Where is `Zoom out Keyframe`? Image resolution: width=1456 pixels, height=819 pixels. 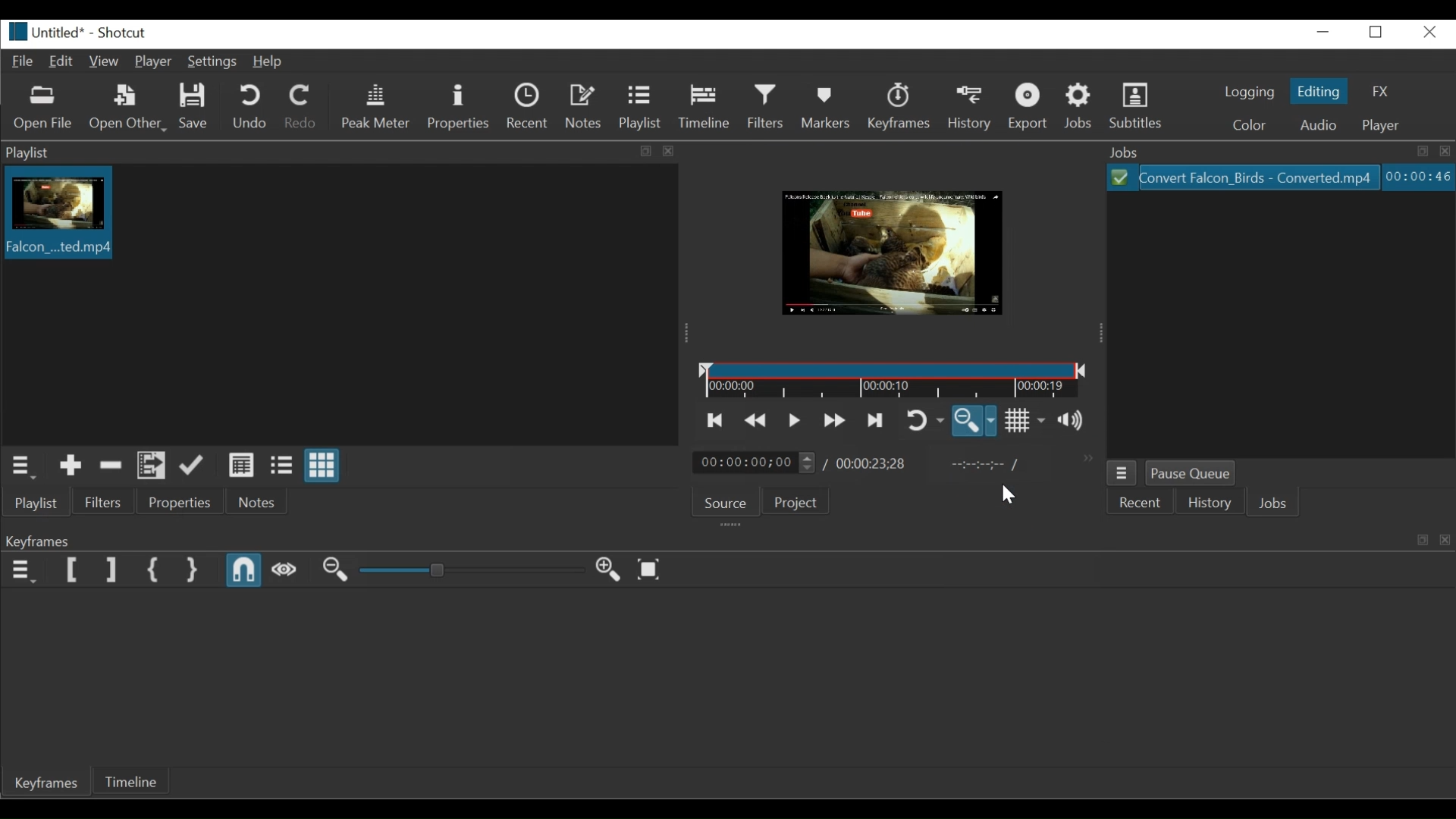
Zoom out Keyframe is located at coordinates (607, 571).